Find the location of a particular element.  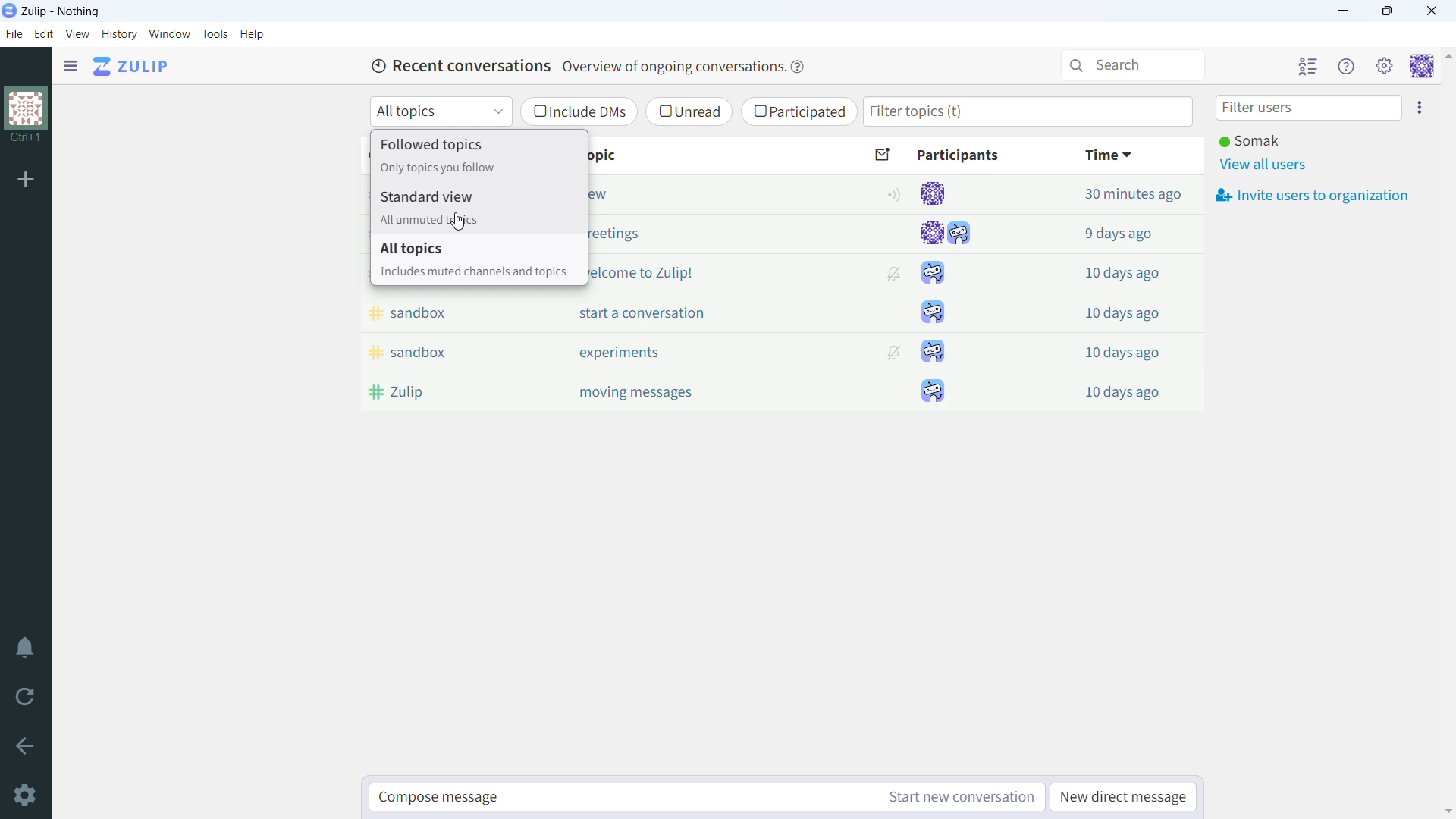

settings is located at coordinates (27, 796).